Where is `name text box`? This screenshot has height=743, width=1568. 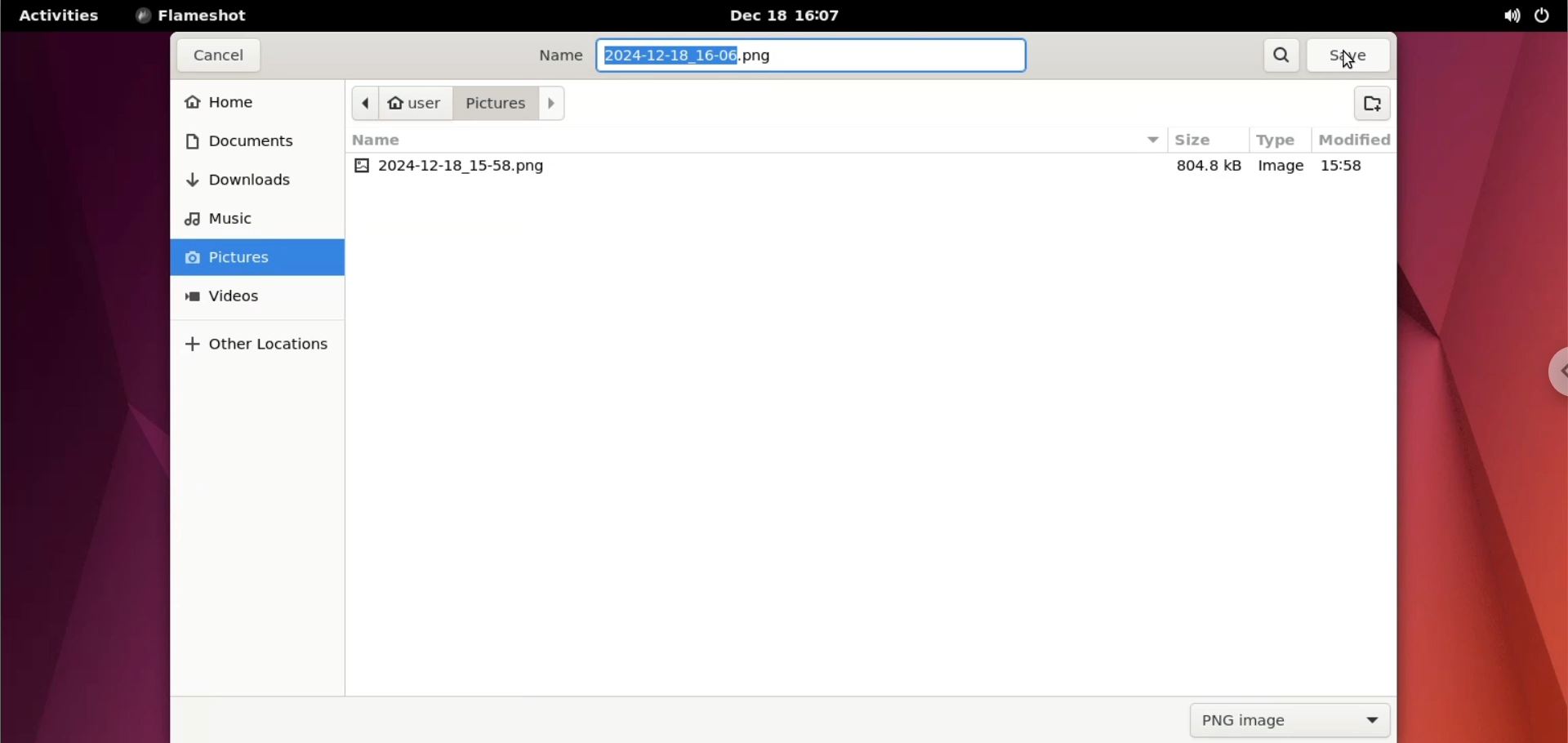
name text box is located at coordinates (814, 55).